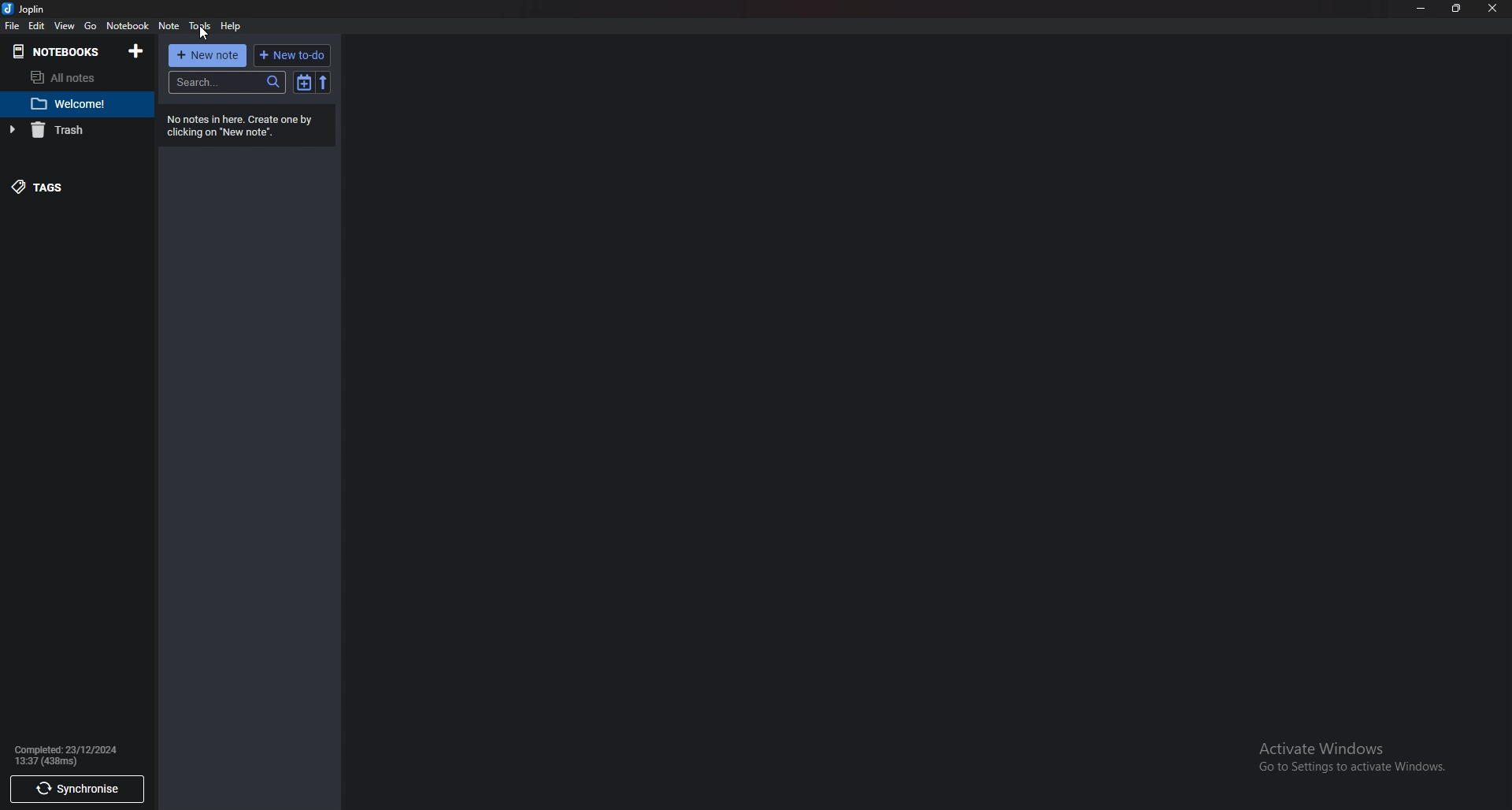 The image size is (1512, 810). I want to click on reverse sort order, so click(323, 84).